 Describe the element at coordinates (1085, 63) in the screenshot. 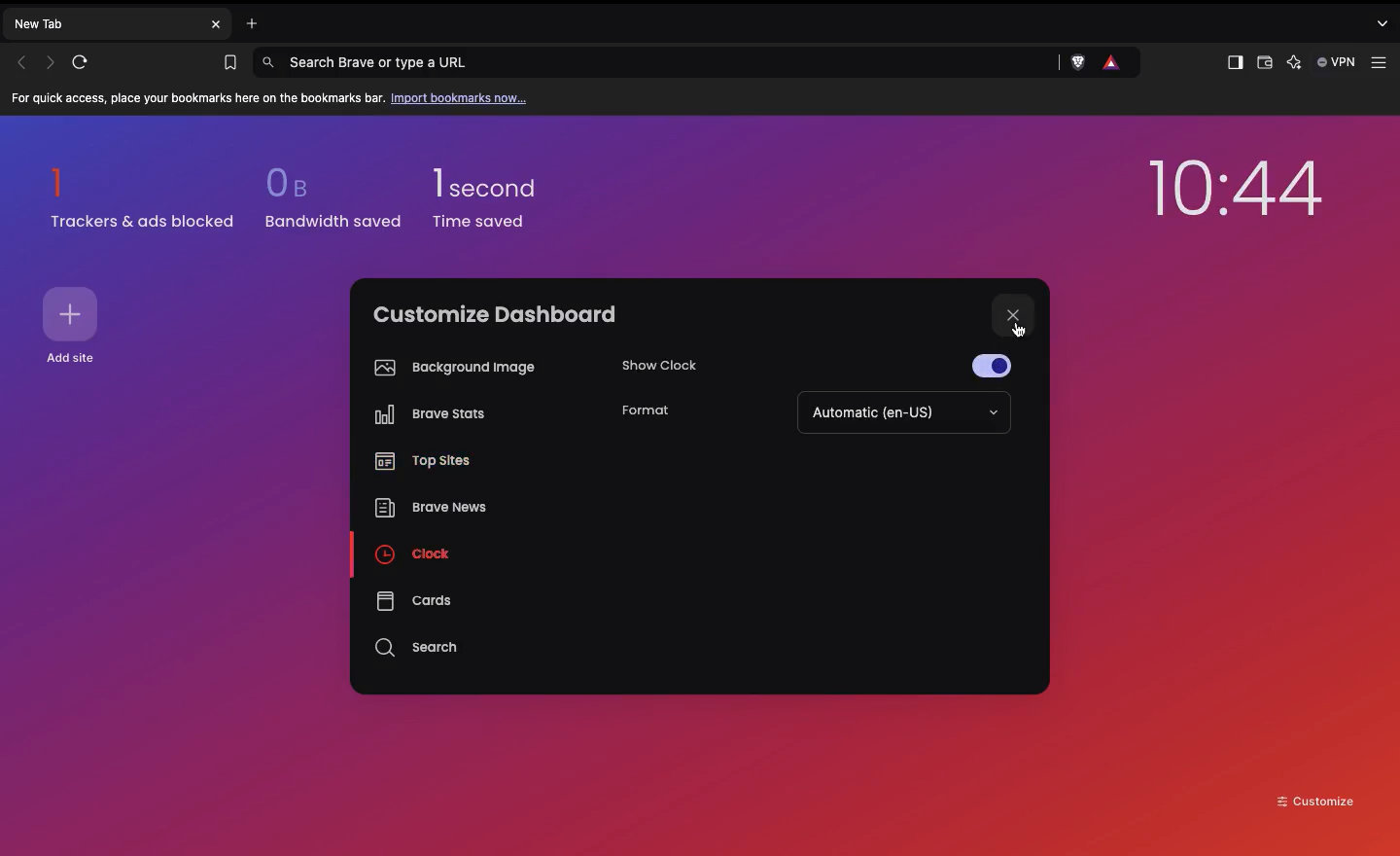

I see `Brave shields` at that location.